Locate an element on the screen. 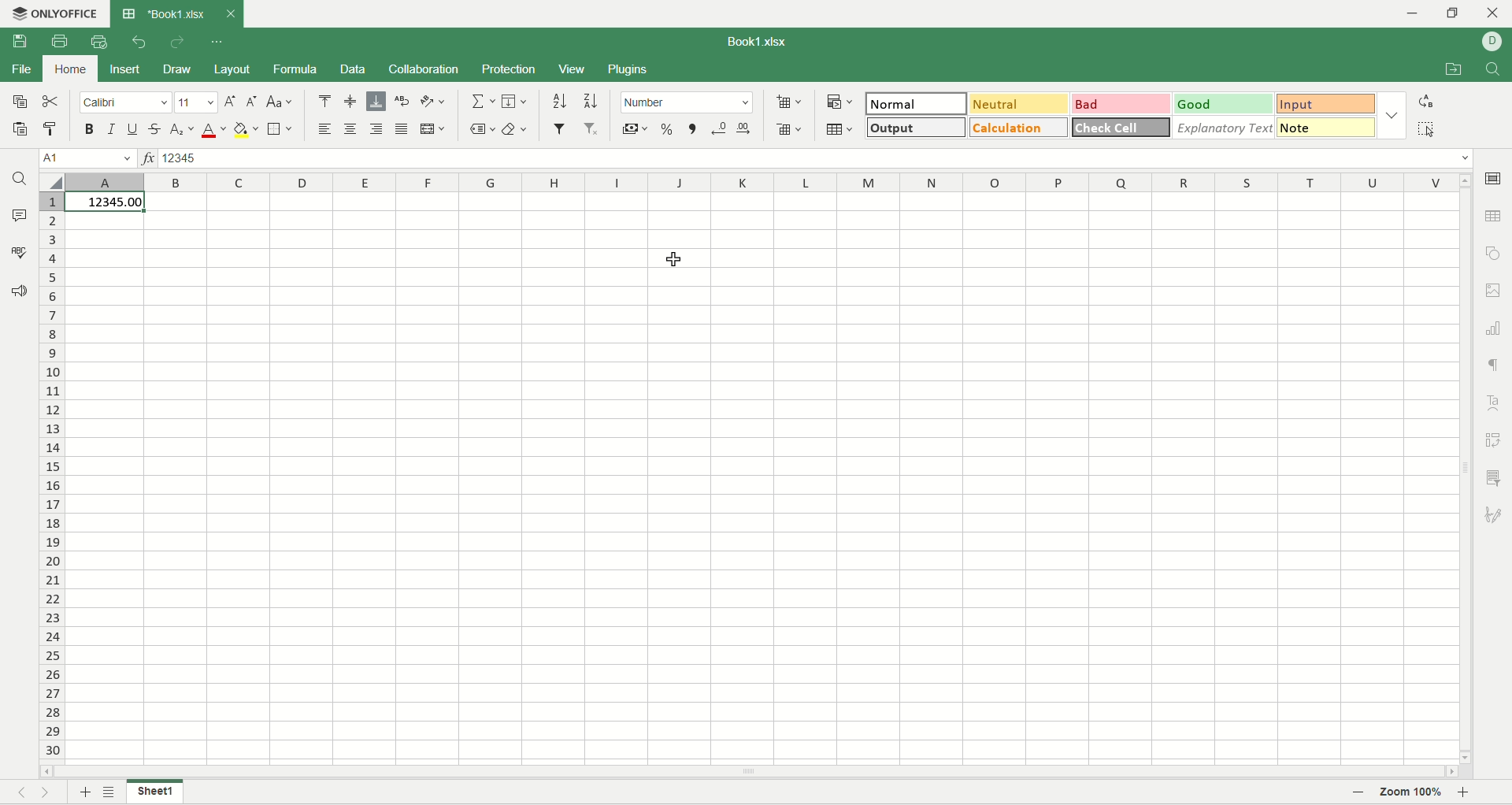 This screenshot has height=805, width=1512. spell check is located at coordinates (17, 252).